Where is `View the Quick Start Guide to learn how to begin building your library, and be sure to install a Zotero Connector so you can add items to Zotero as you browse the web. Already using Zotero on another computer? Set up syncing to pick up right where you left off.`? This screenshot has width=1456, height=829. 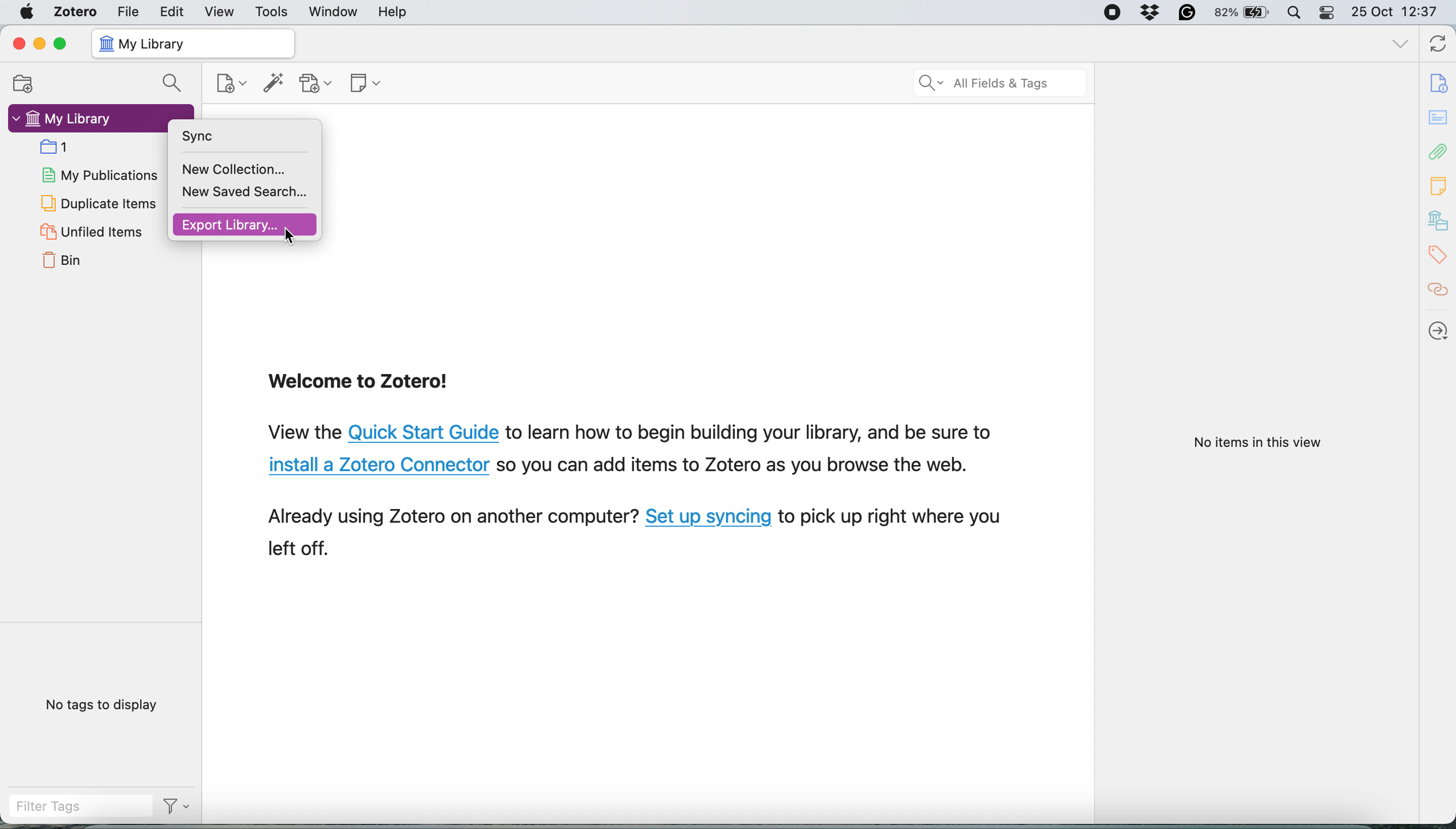
View the Quick Start Guide to learn how to begin building your library, and be sure to install a Zotero Connector so you can add items to Zotero as you browse the web. Already using Zotero on another computer? Set up syncing to pick up right where you left off. is located at coordinates (642, 491).